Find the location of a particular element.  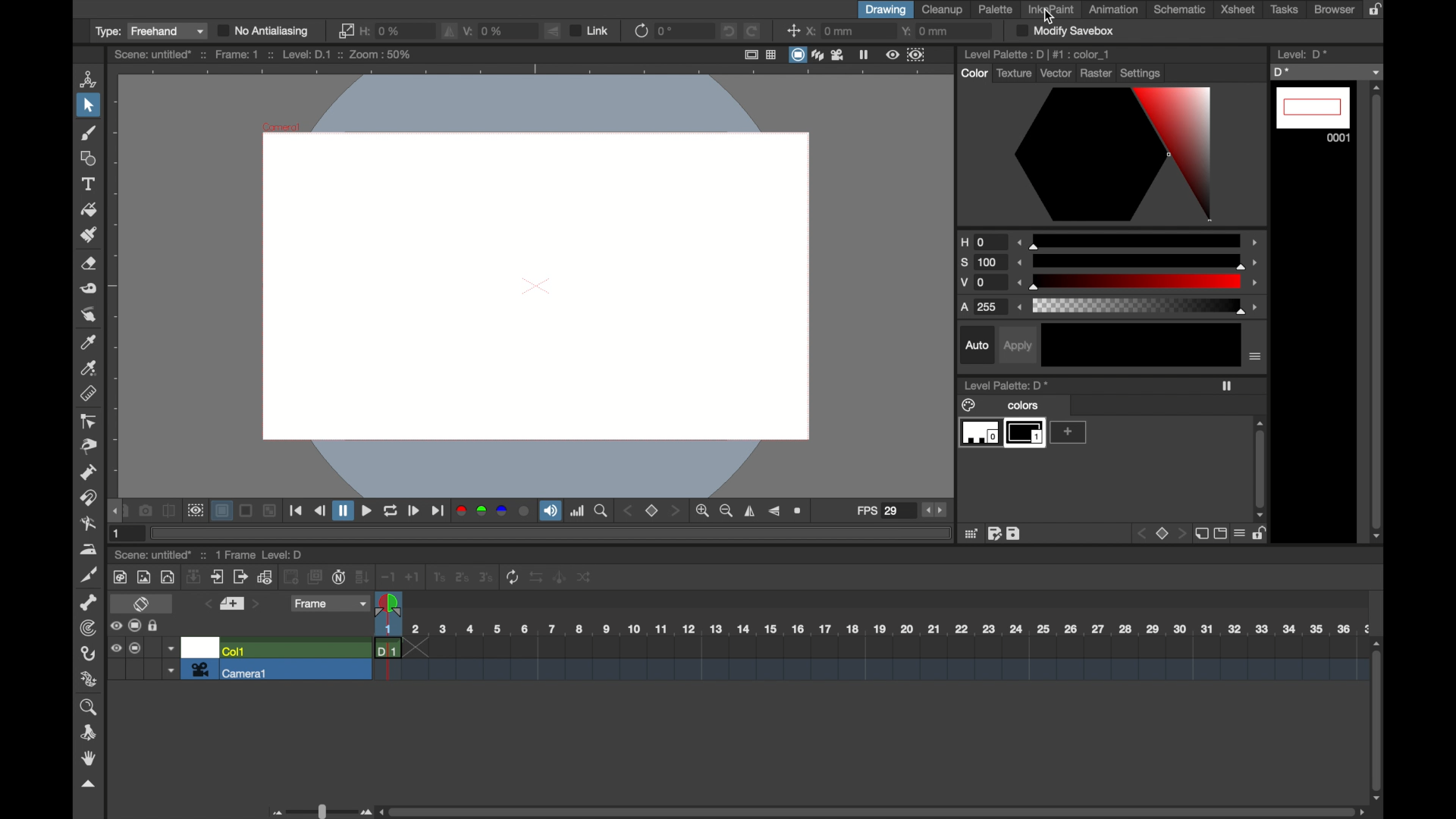

paint is located at coordinates (119, 577).